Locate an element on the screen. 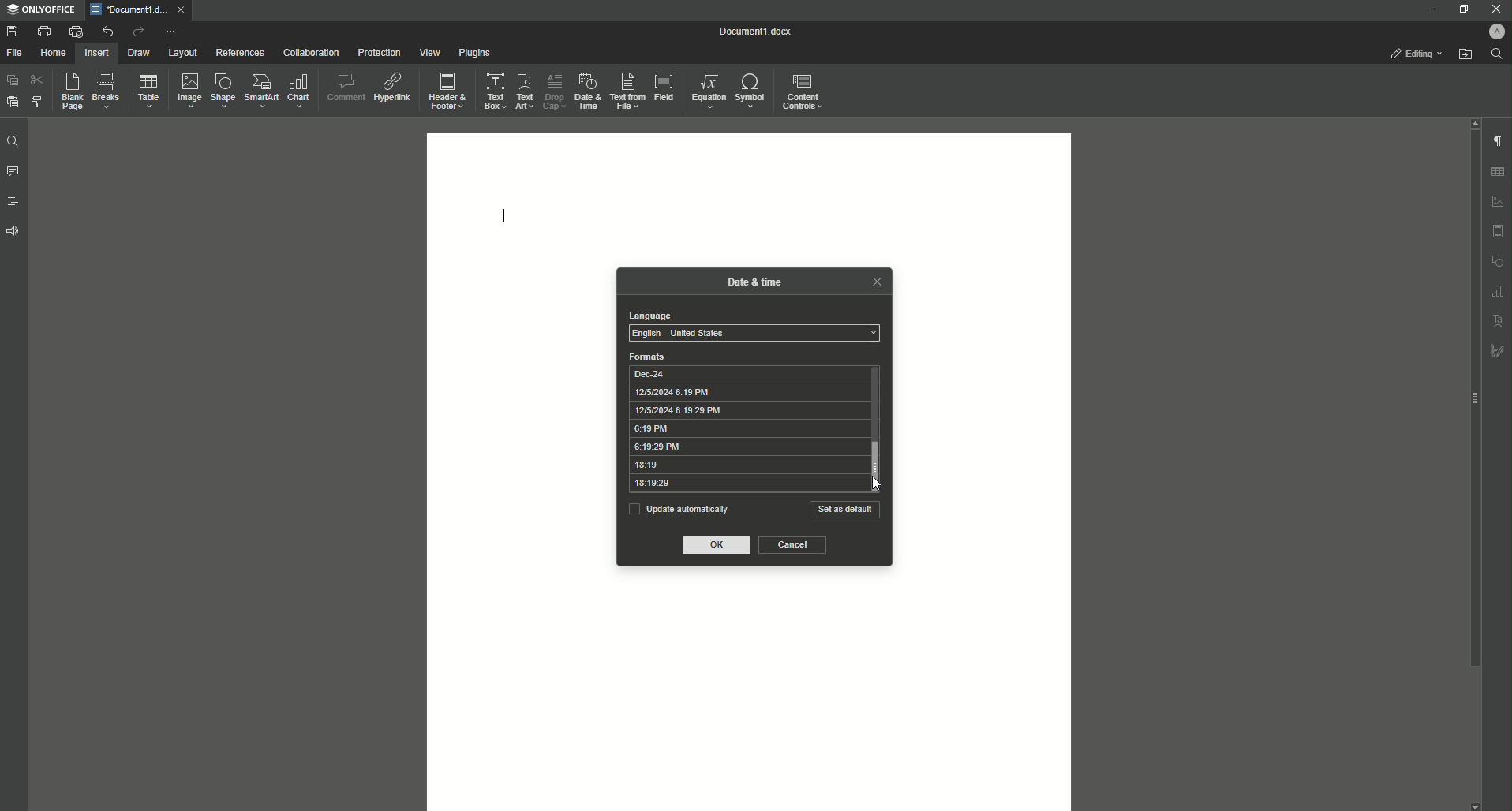 This screenshot has width=1512, height=811. Quick print is located at coordinates (75, 32).